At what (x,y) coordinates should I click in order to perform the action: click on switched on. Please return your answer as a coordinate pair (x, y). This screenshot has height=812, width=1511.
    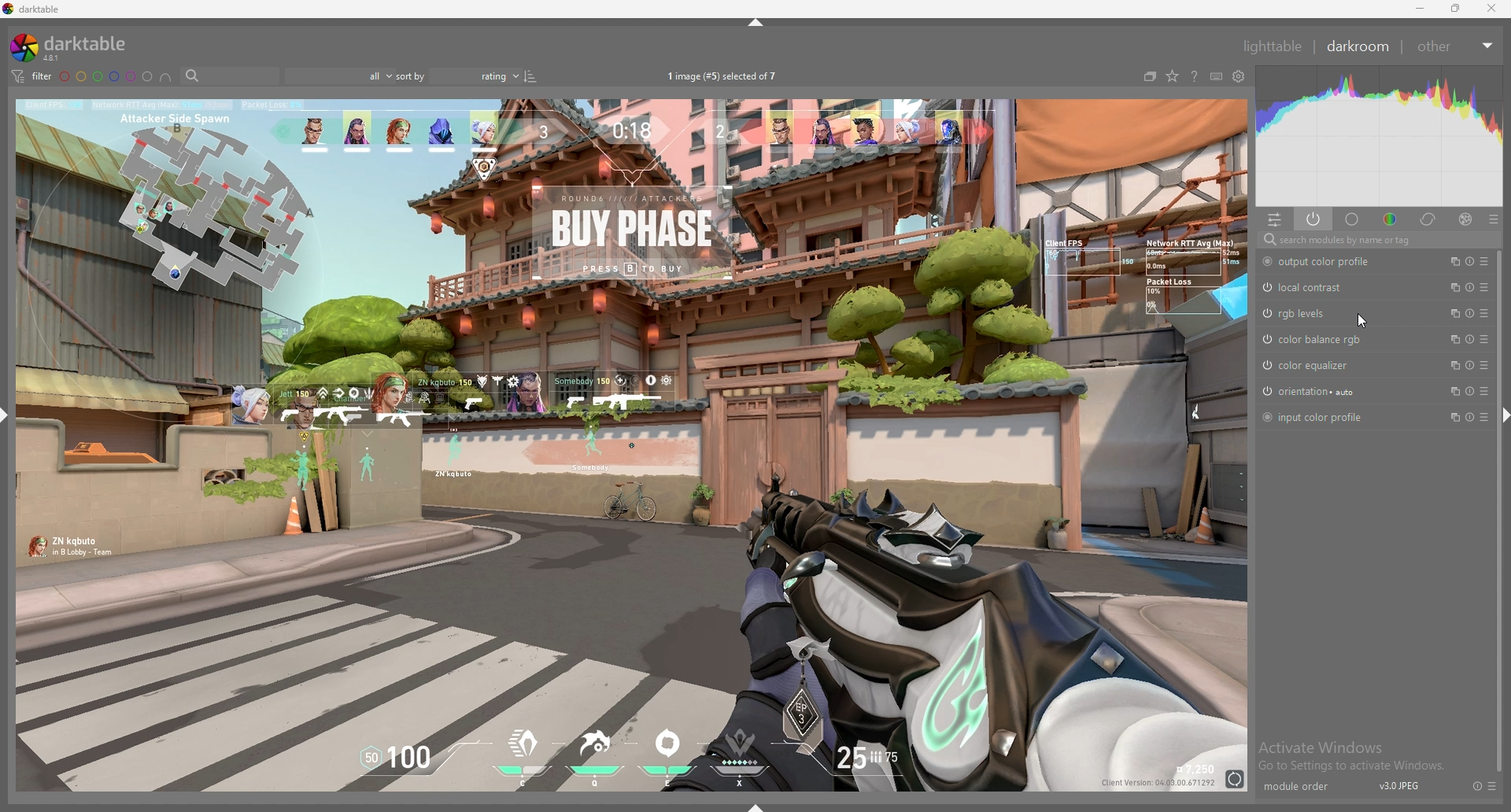
    Looking at the image, I should click on (1265, 288).